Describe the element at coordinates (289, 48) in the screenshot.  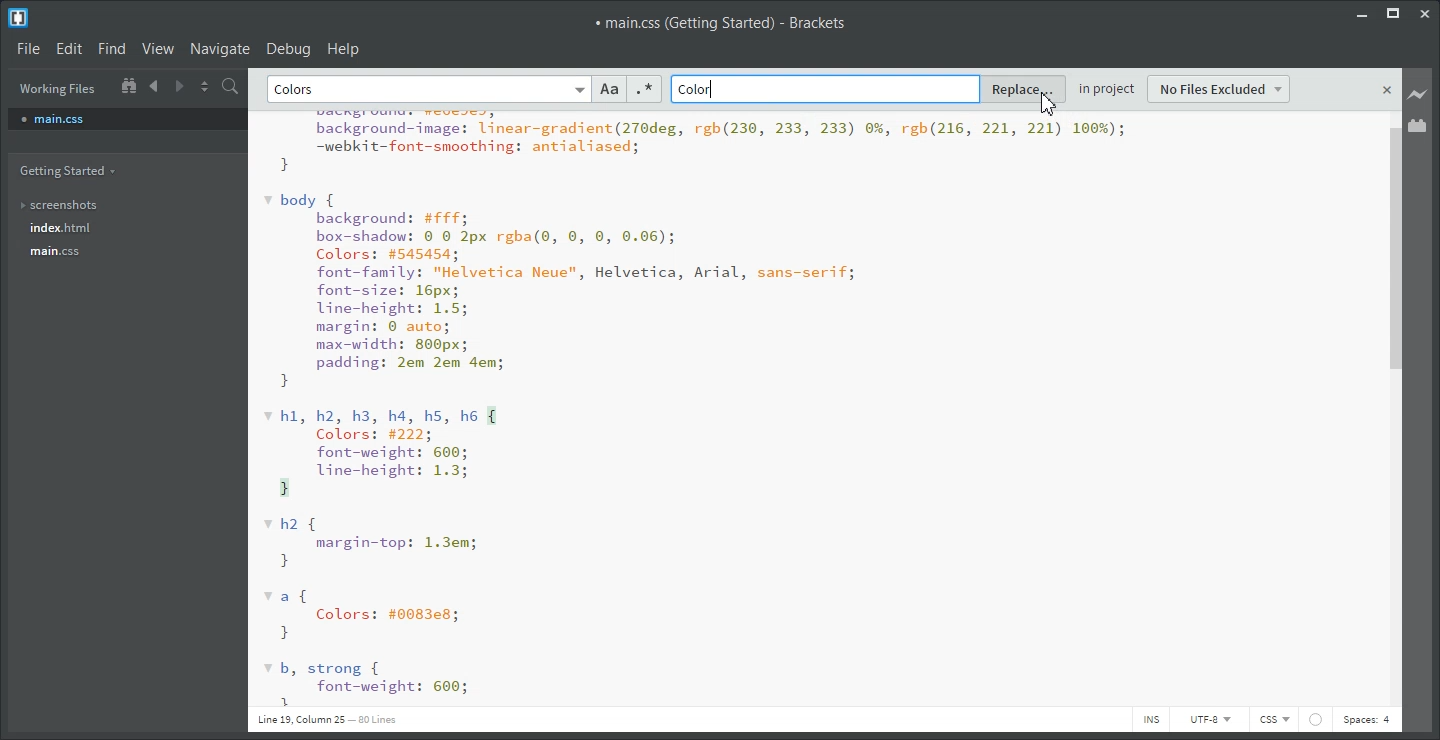
I see `Debug` at that location.